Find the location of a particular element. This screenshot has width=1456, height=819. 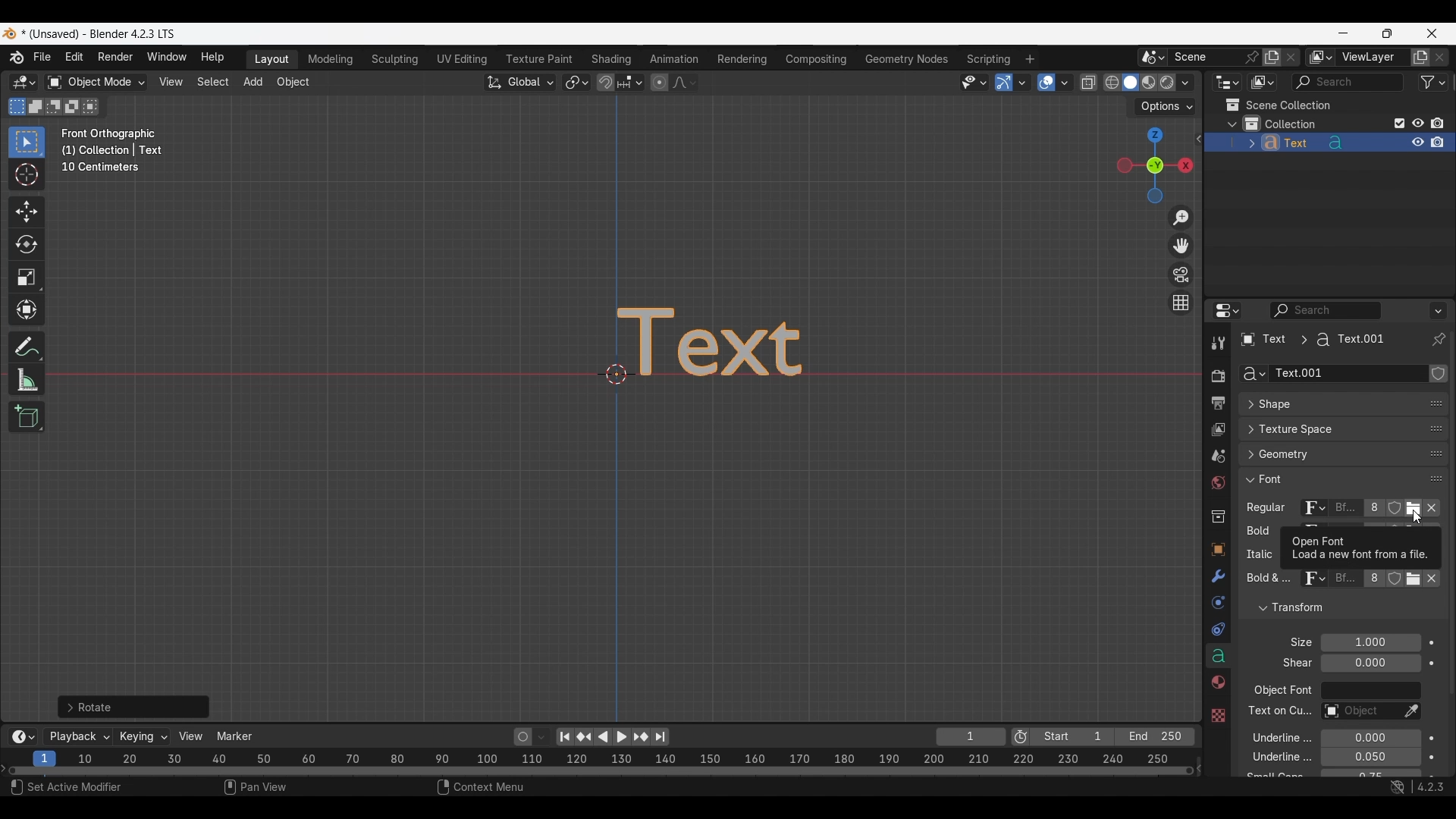

Transformation orientation, global is located at coordinates (520, 83).